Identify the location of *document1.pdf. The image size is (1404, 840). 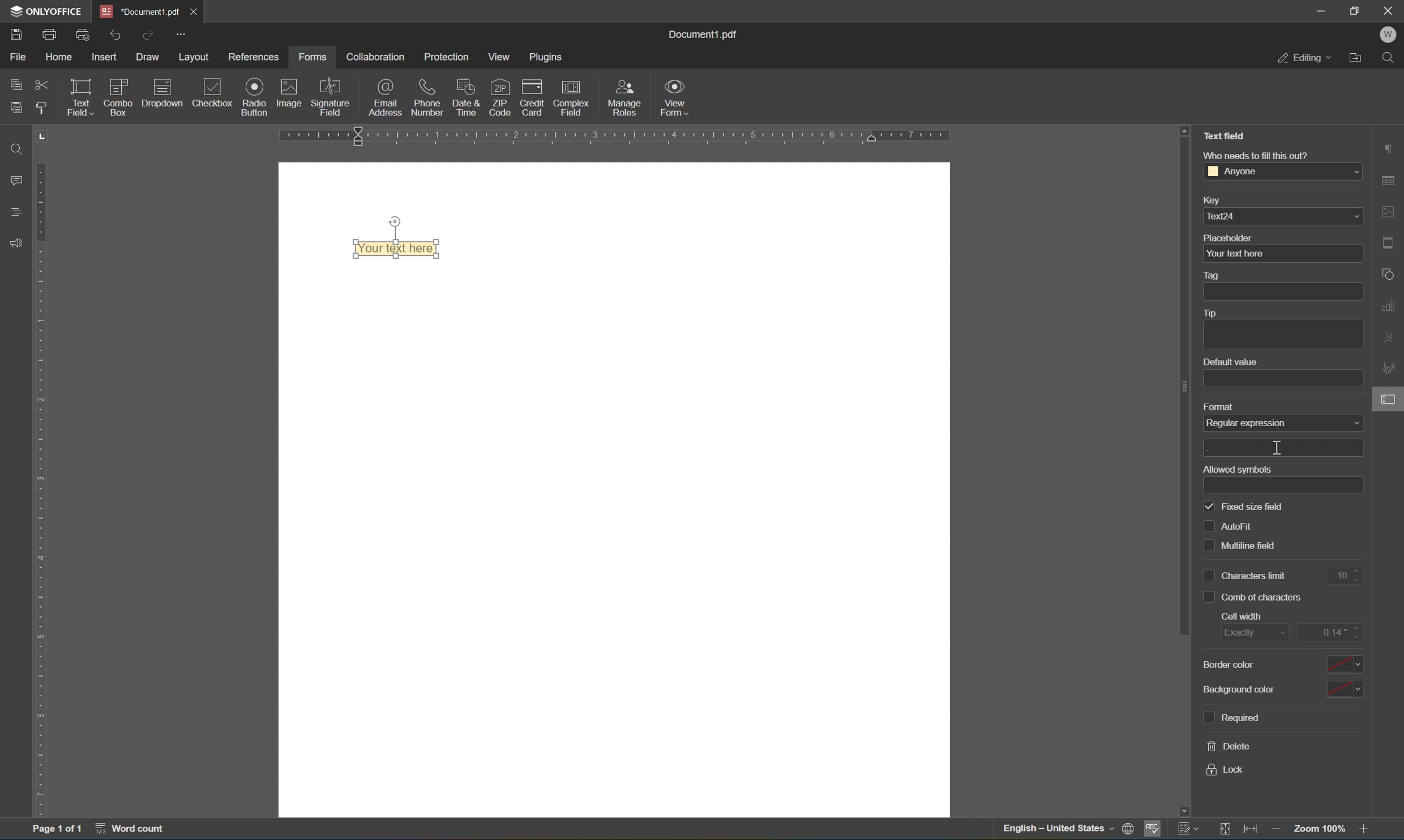
(140, 11).